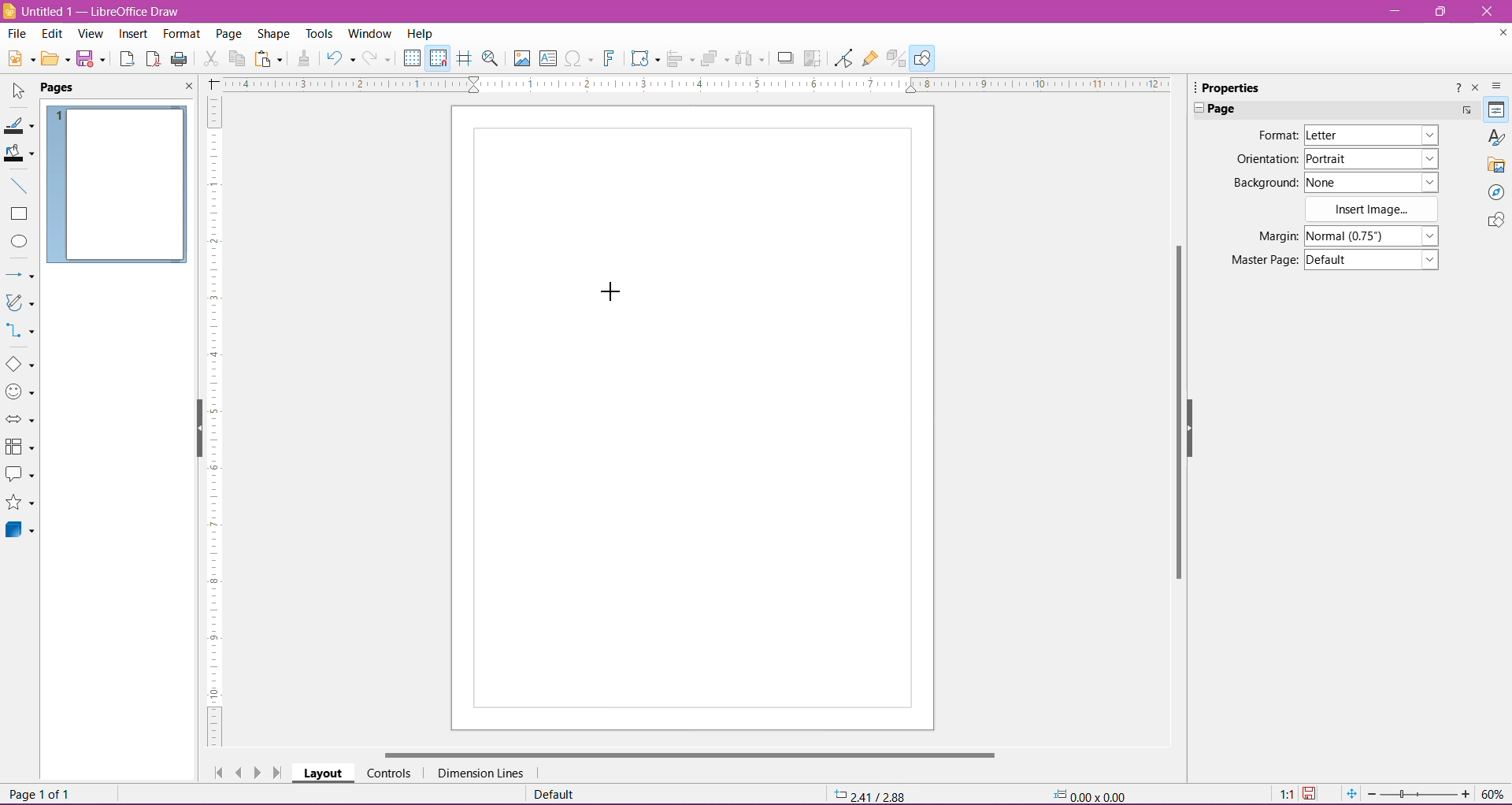 The height and width of the screenshot is (805, 1512). I want to click on Insert, so click(134, 35).